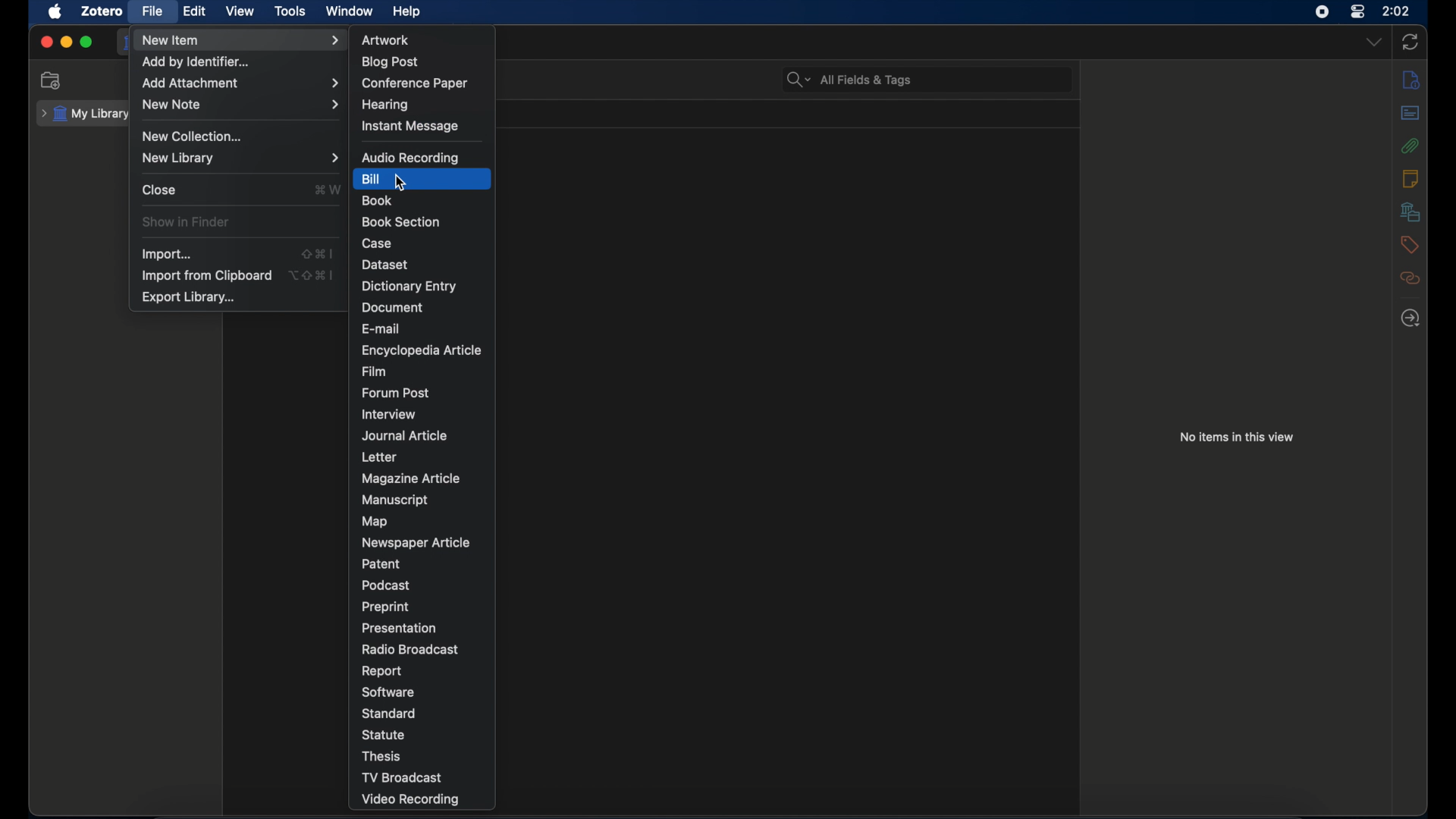 This screenshot has width=1456, height=819. Describe the element at coordinates (402, 184) in the screenshot. I see `cursor` at that location.